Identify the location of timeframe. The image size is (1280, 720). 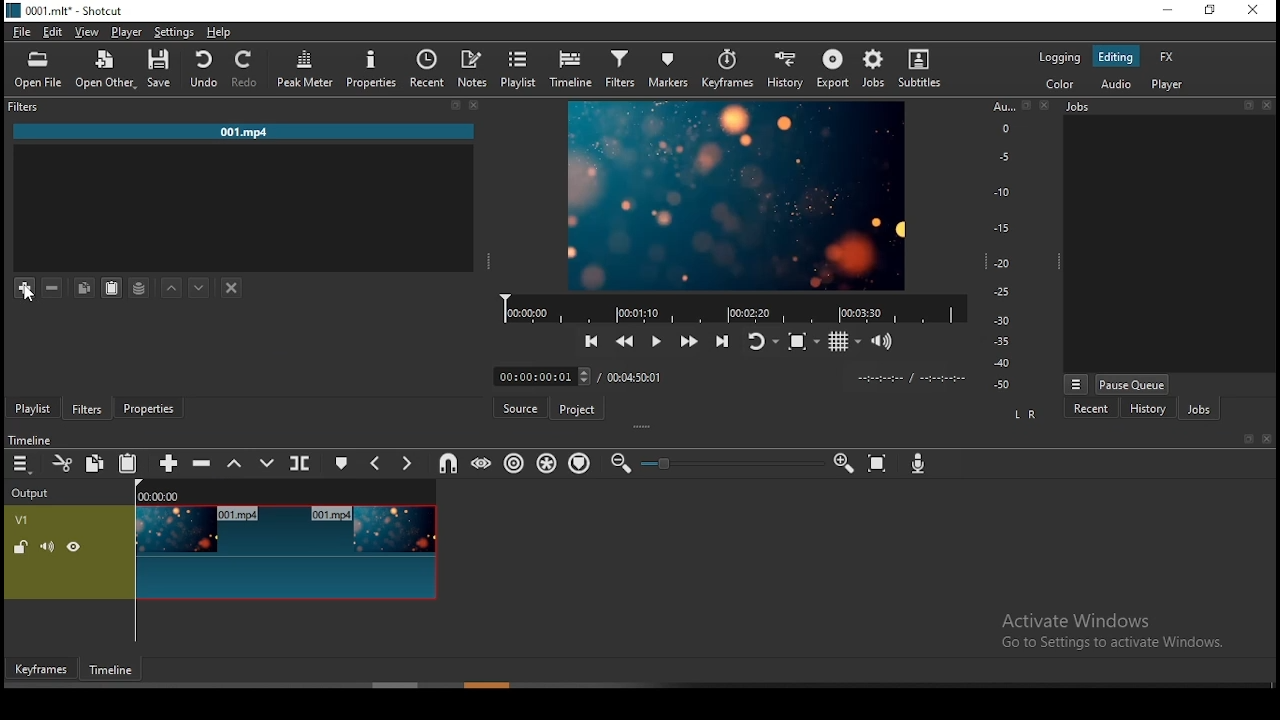
(111, 670).